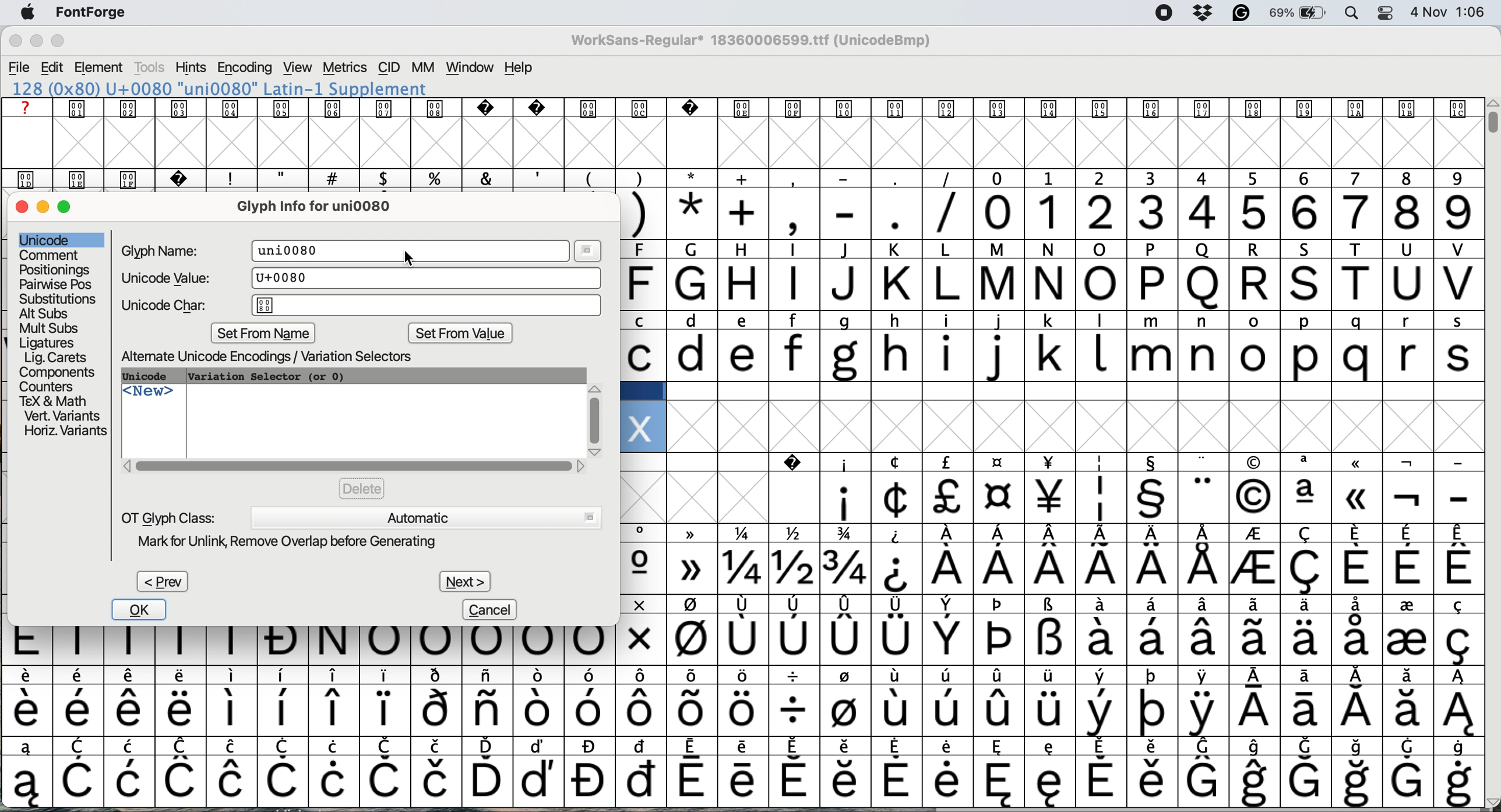 The image size is (1501, 812). I want to click on components, so click(61, 372).